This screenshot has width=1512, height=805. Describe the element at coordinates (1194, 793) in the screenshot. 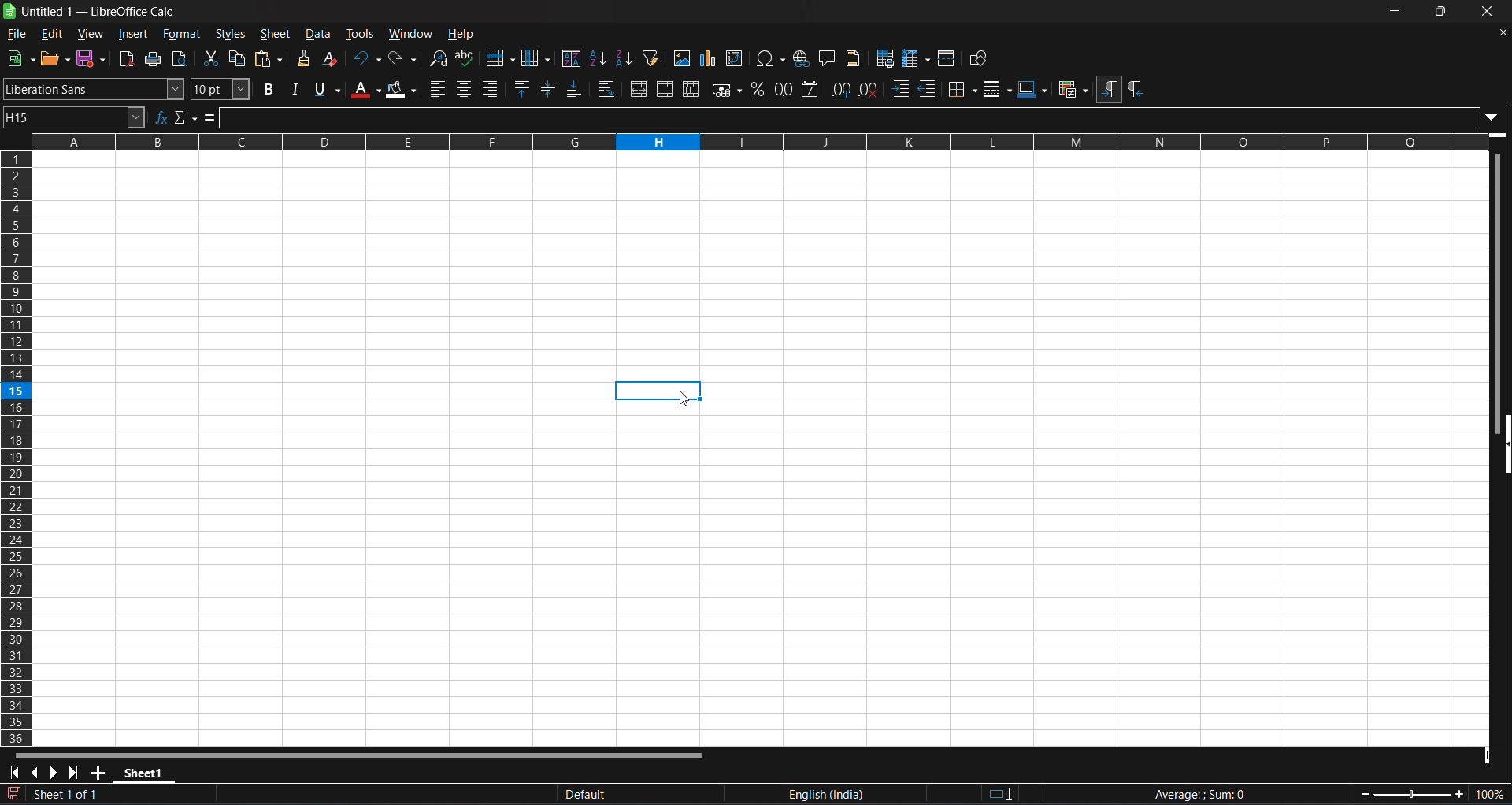

I see `formula` at that location.